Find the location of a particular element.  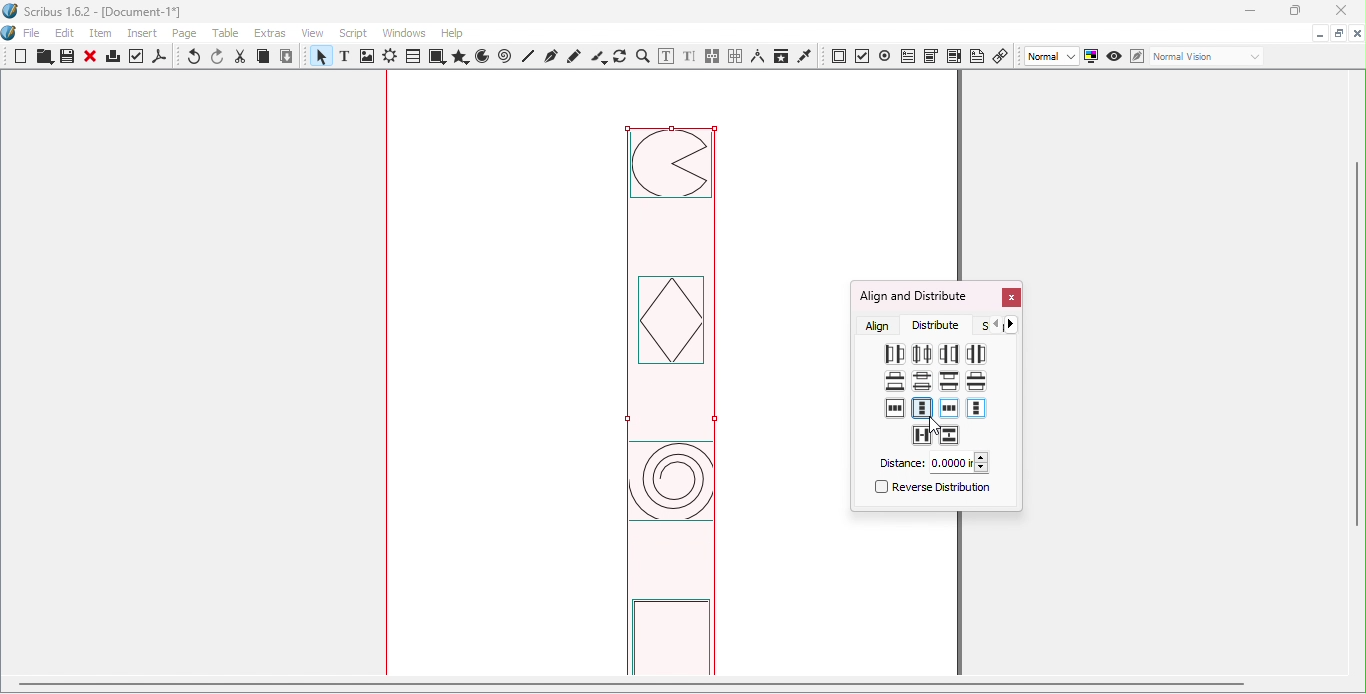

Link text frames is located at coordinates (713, 57).